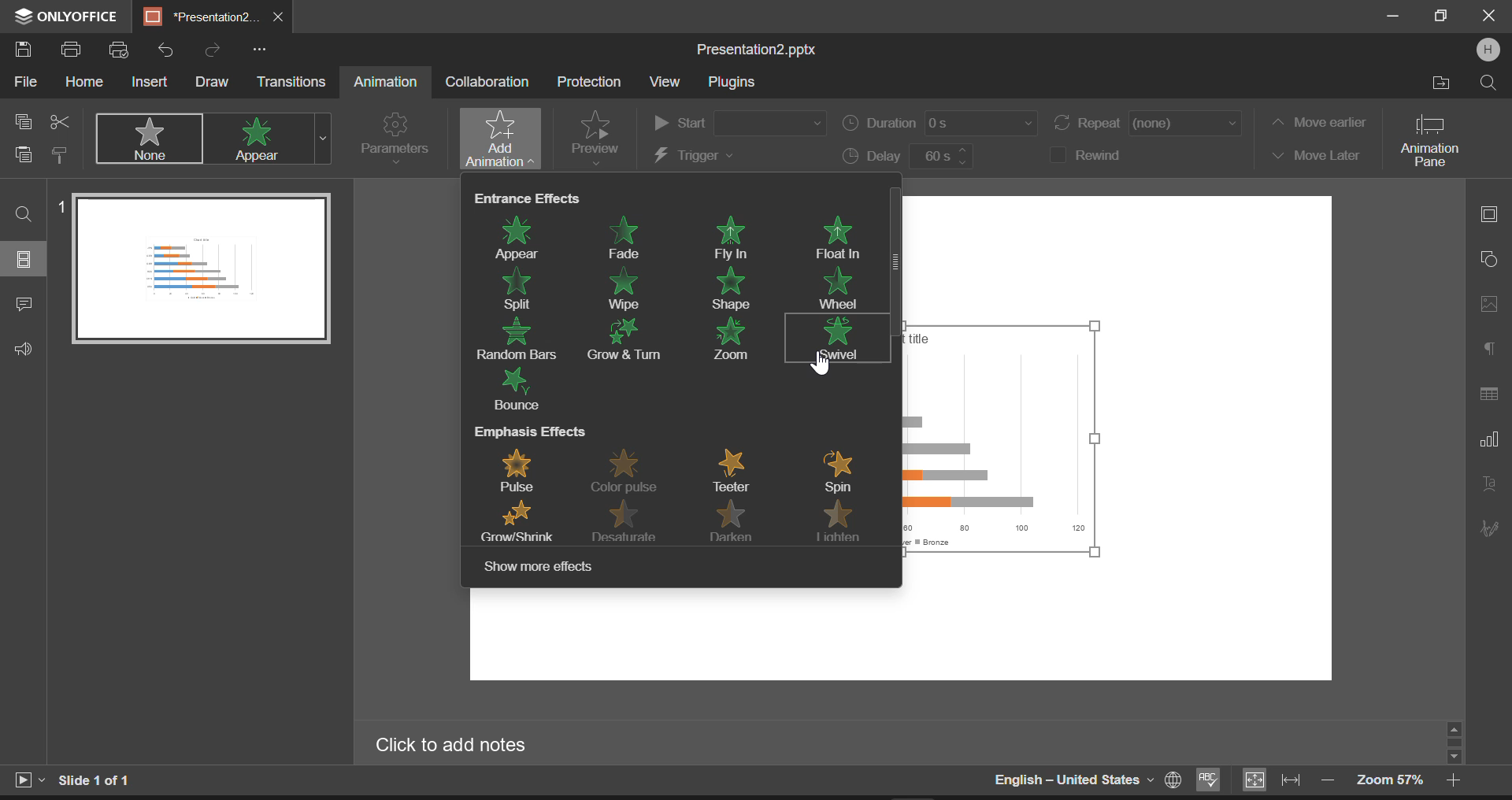  I want to click on Minimize, so click(1443, 17).